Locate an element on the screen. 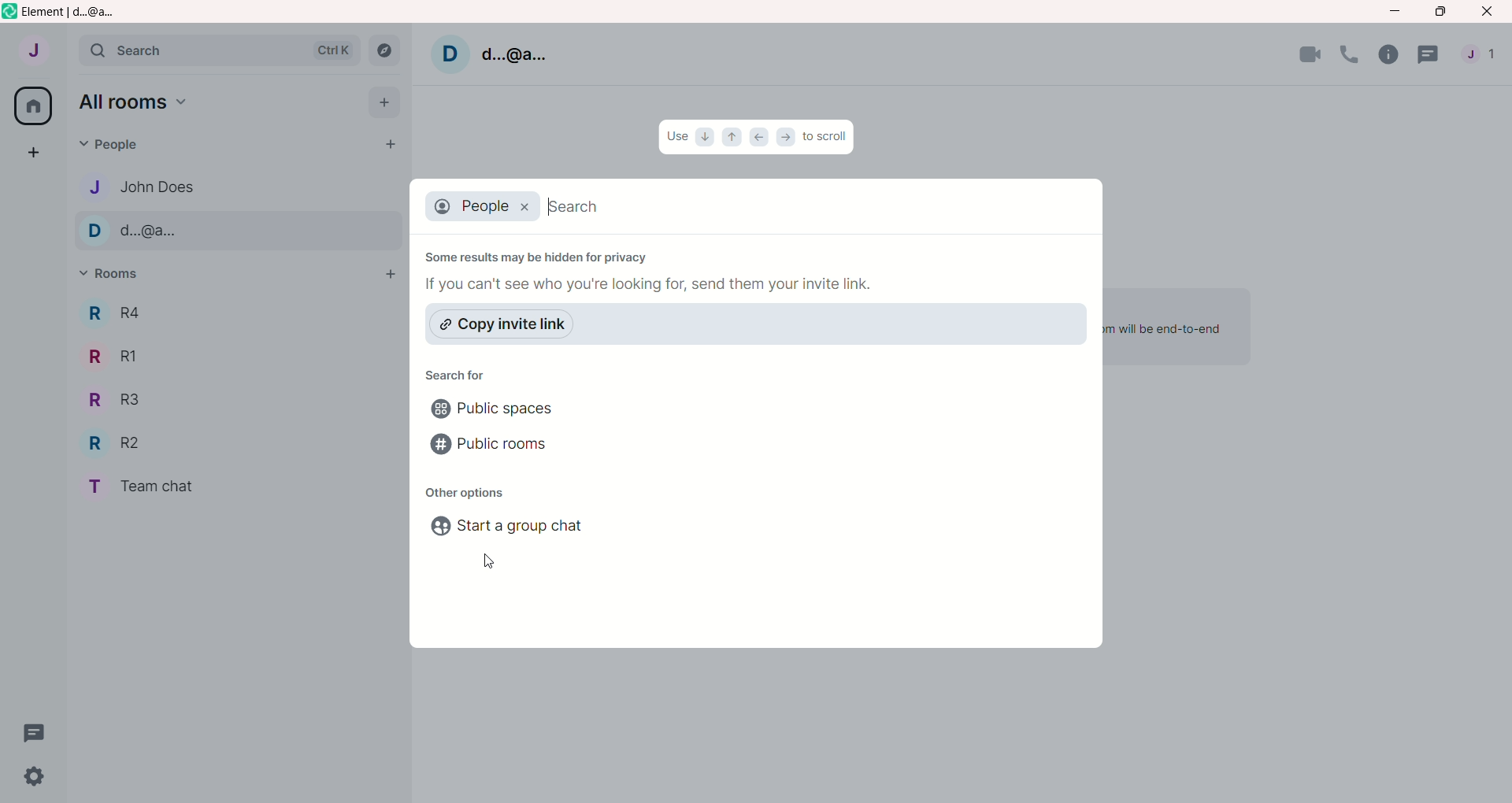  thread is located at coordinates (35, 733).